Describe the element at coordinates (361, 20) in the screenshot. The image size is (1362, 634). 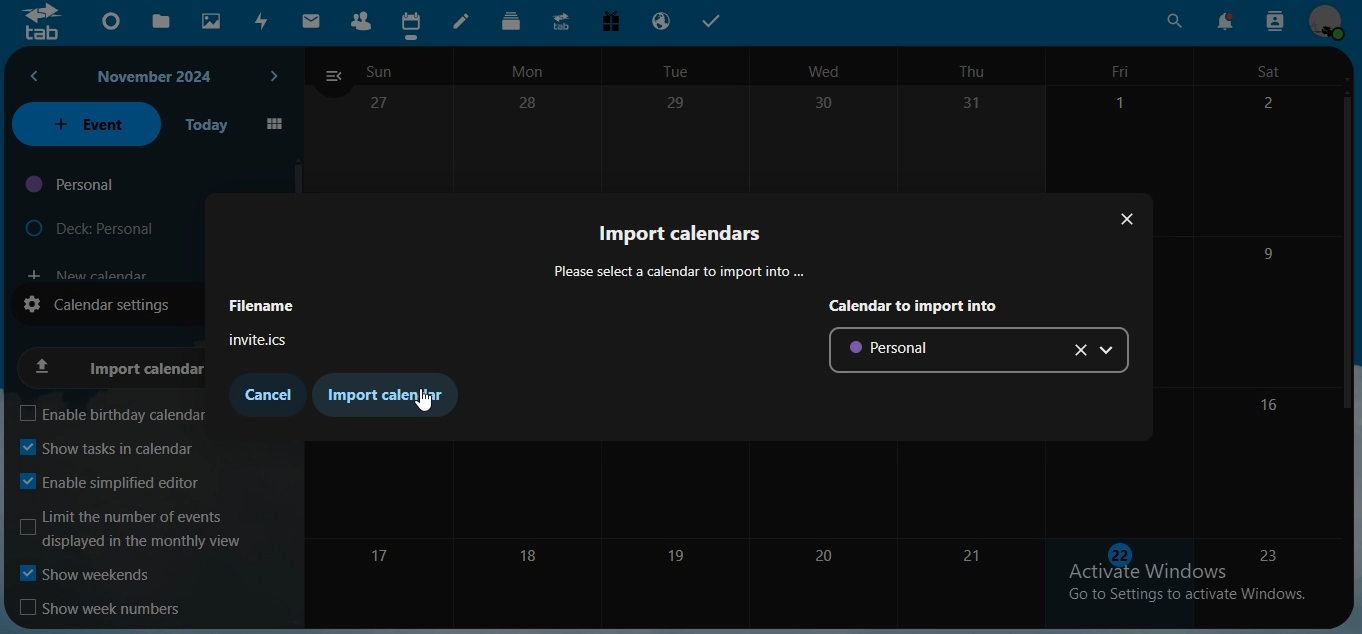
I see `contacts` at that location.